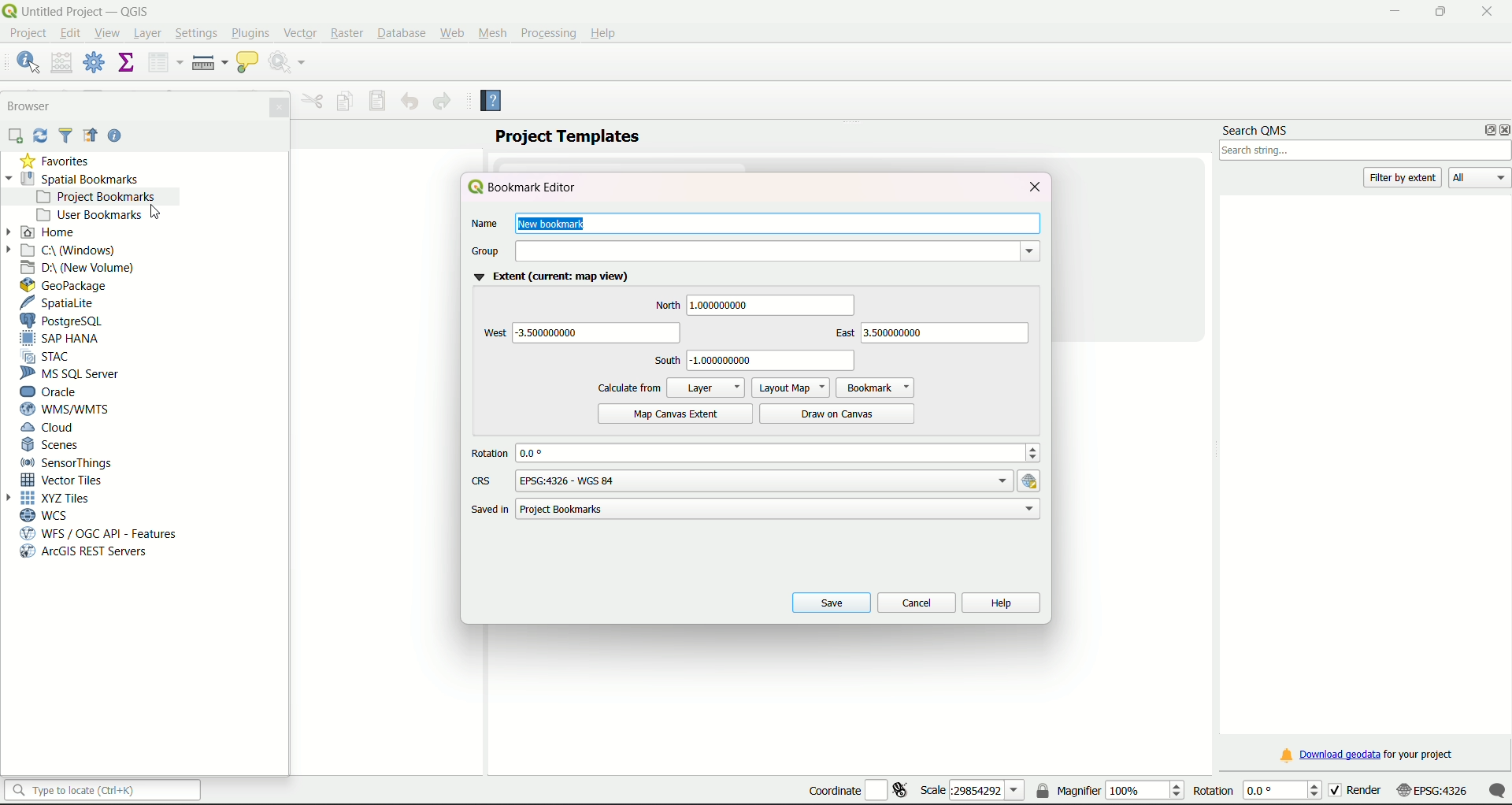 The width and height of the screenshot is (1512, 805). What do you see at coordinates (277, 107) in the screenshot?
I see `Close` at bounding box center [277, 107].